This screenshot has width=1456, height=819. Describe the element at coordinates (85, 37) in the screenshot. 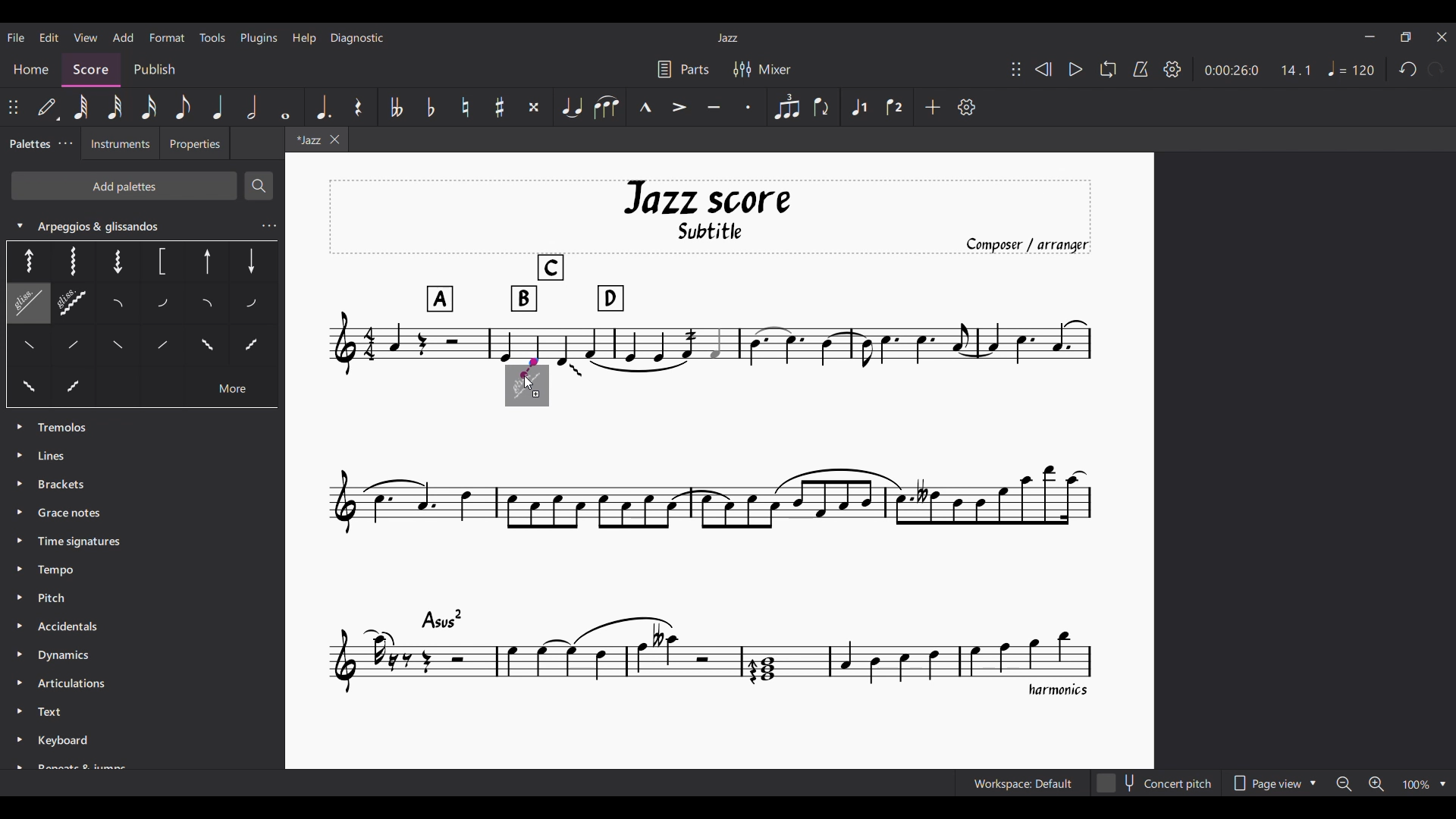

I see `View menu` at that location.